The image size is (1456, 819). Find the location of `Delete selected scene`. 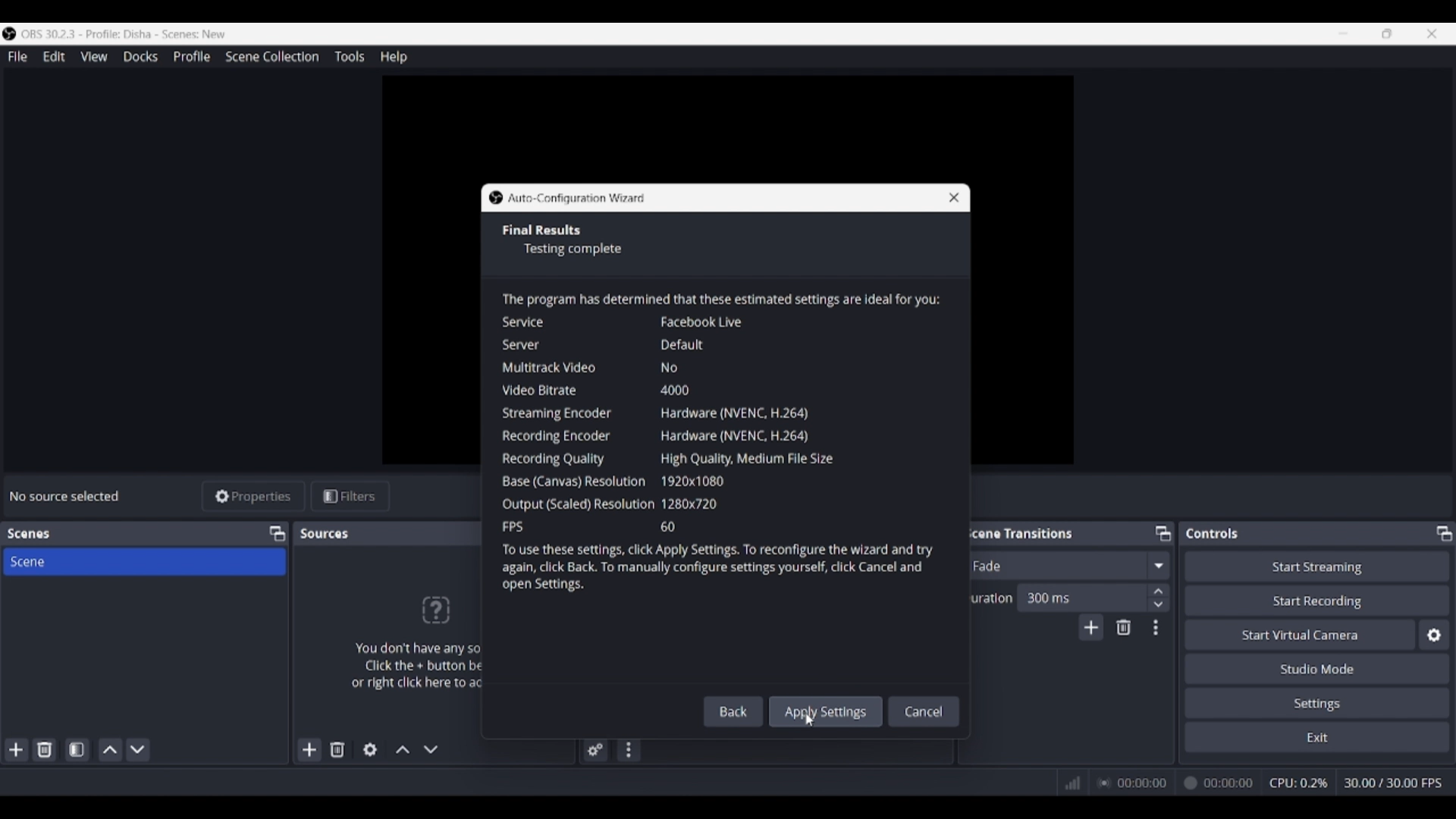

Delete selected scene is located at coordinates (44, 749).